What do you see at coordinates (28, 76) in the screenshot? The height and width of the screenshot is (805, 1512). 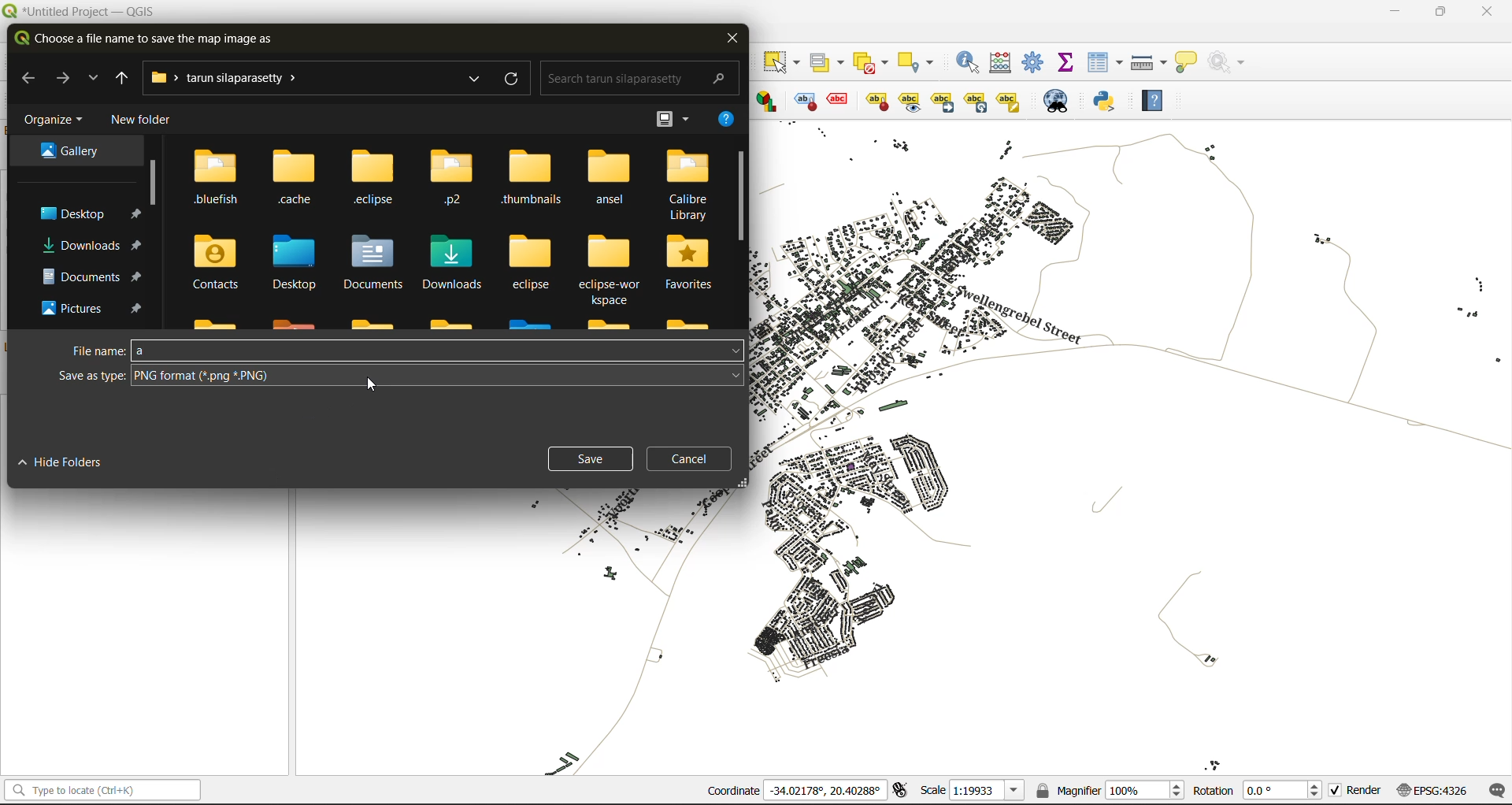 I see `back` at bounding box center [28, 76].